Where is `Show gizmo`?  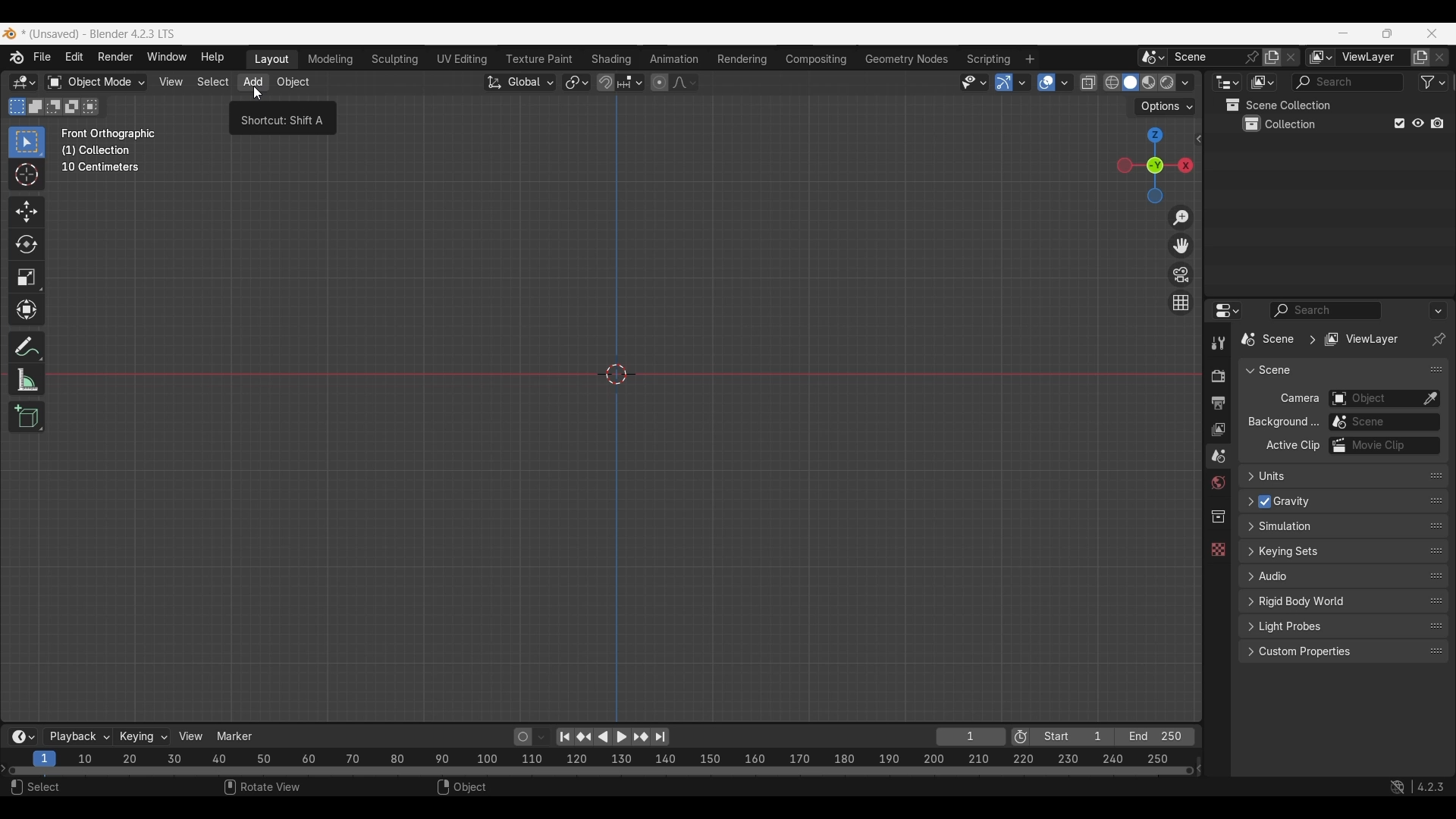
Show gizmo is located at coordinates (1004, 83).